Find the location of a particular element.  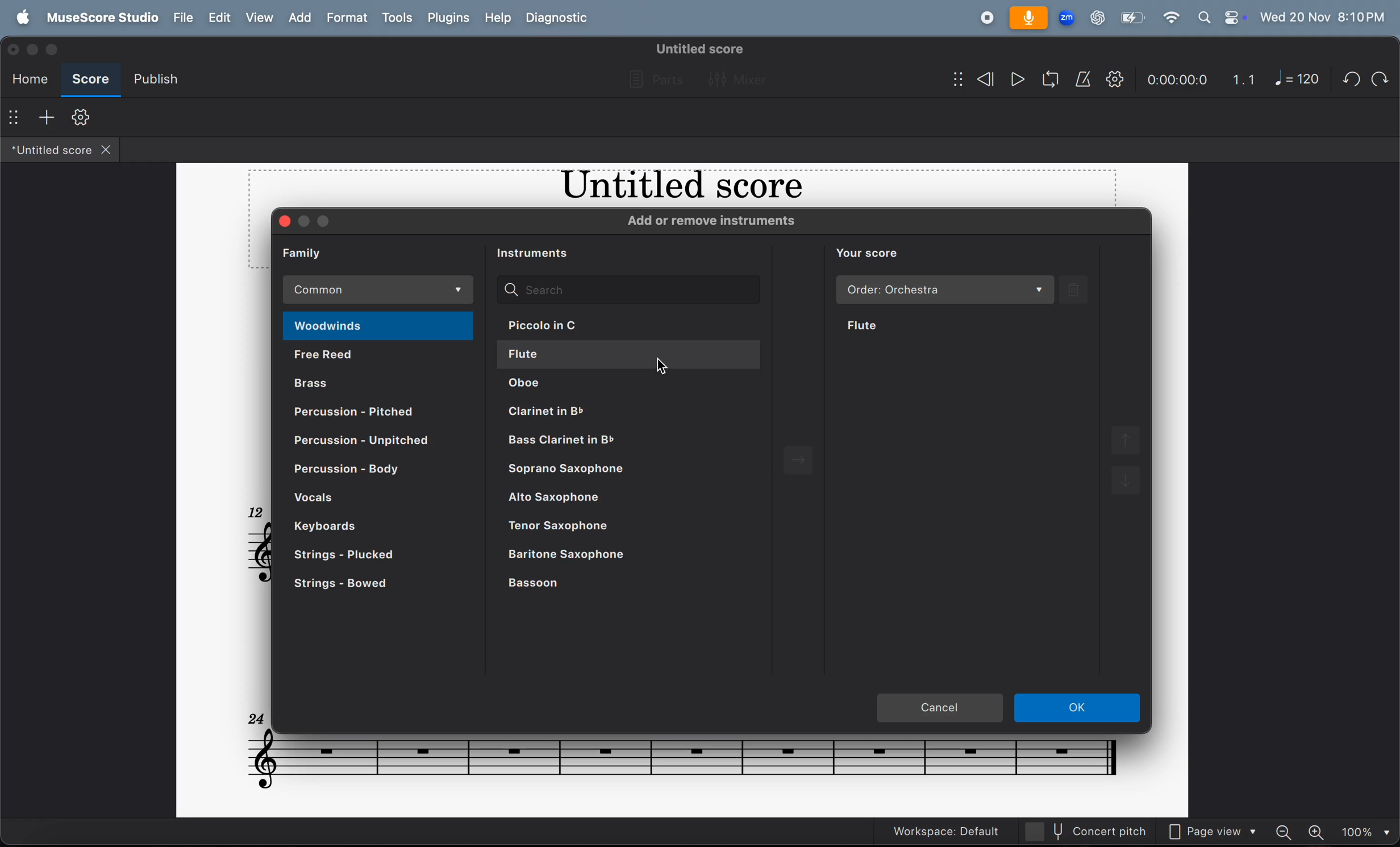

publish is located at coordinates (157, 78).